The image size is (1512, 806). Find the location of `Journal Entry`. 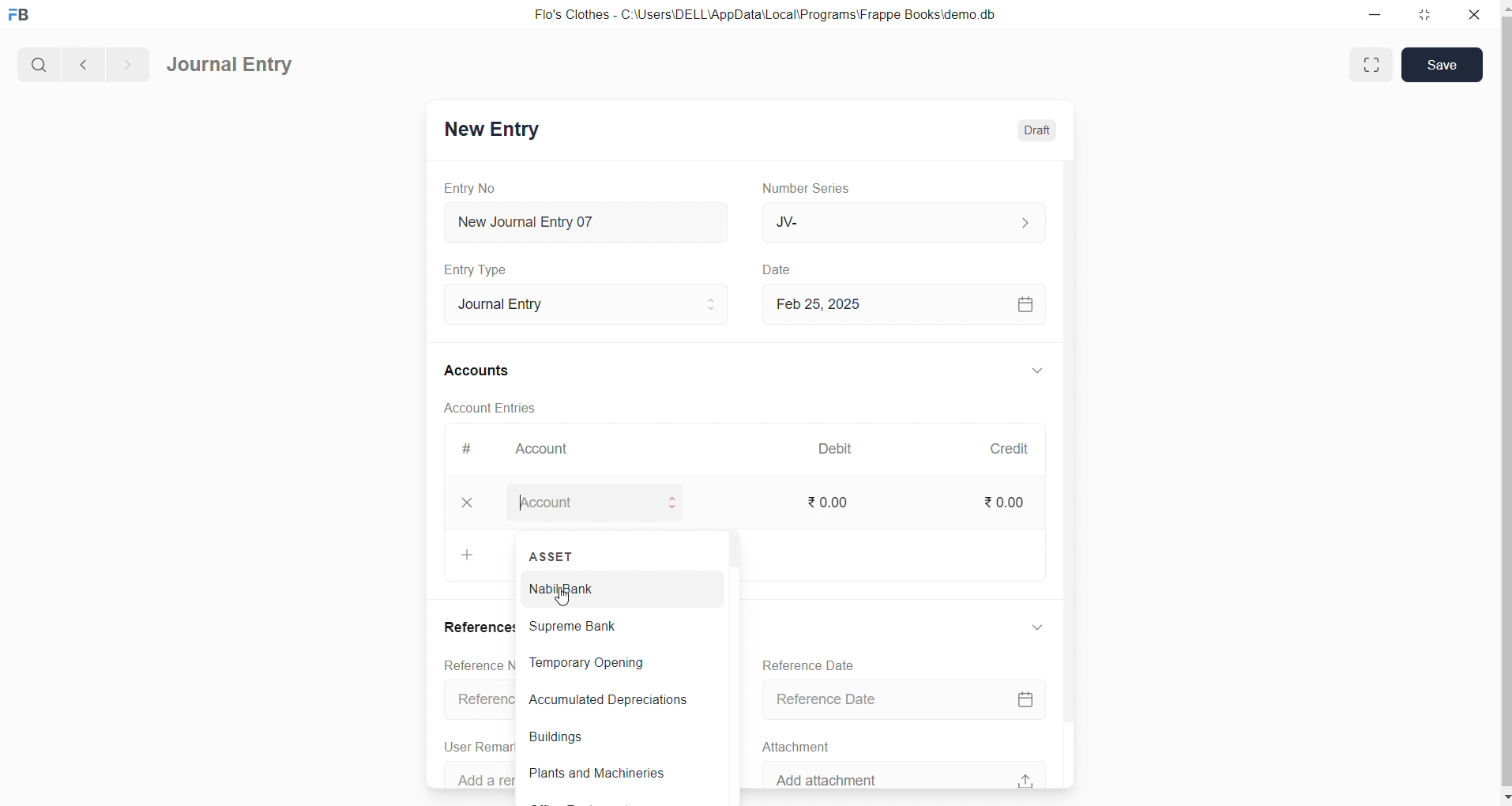

Journal Entry is located at coordinates (231, 66).